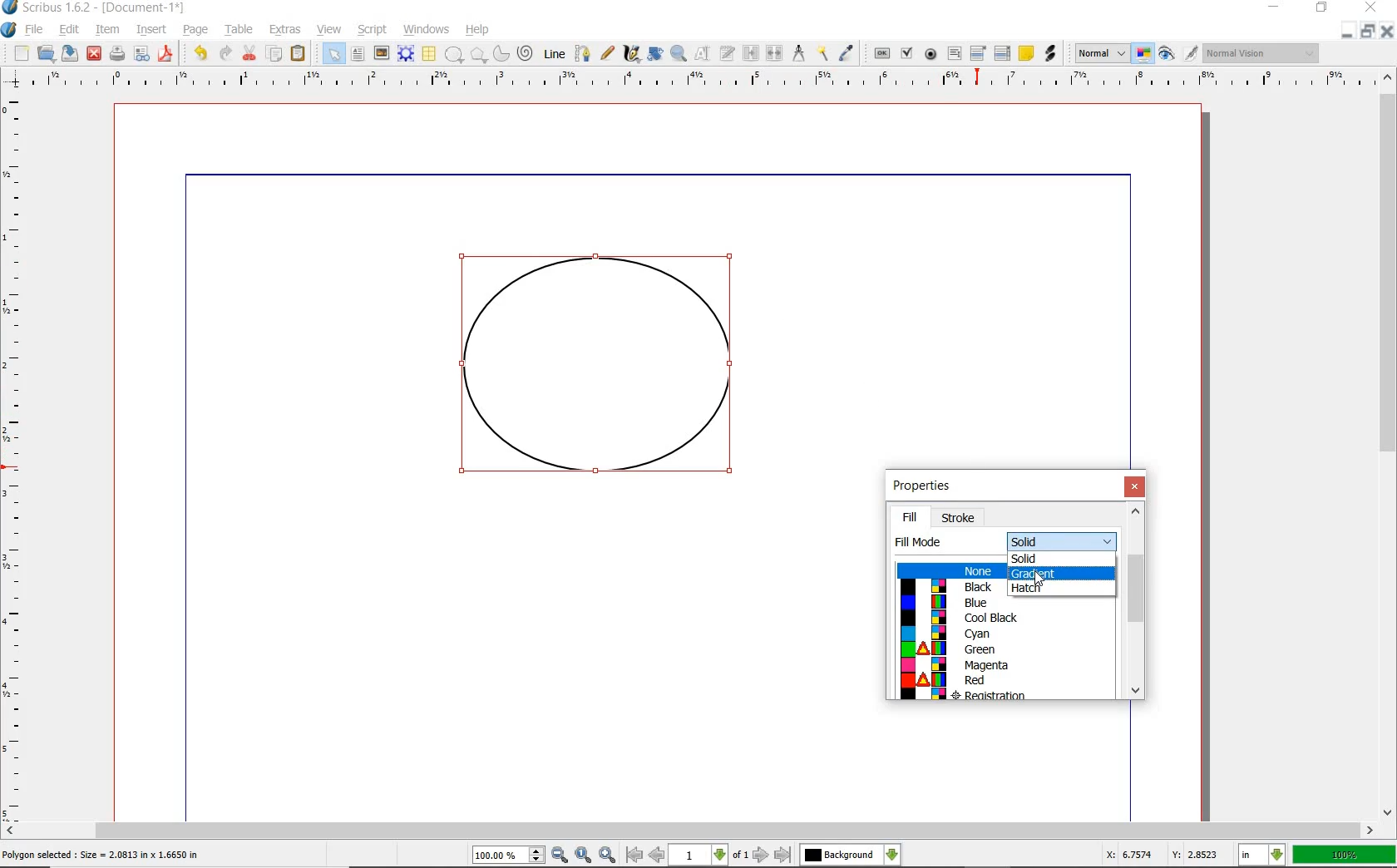 This screenshot has height=868, width=1397. I want to click on EYE DROPPER, so click(847, 54).